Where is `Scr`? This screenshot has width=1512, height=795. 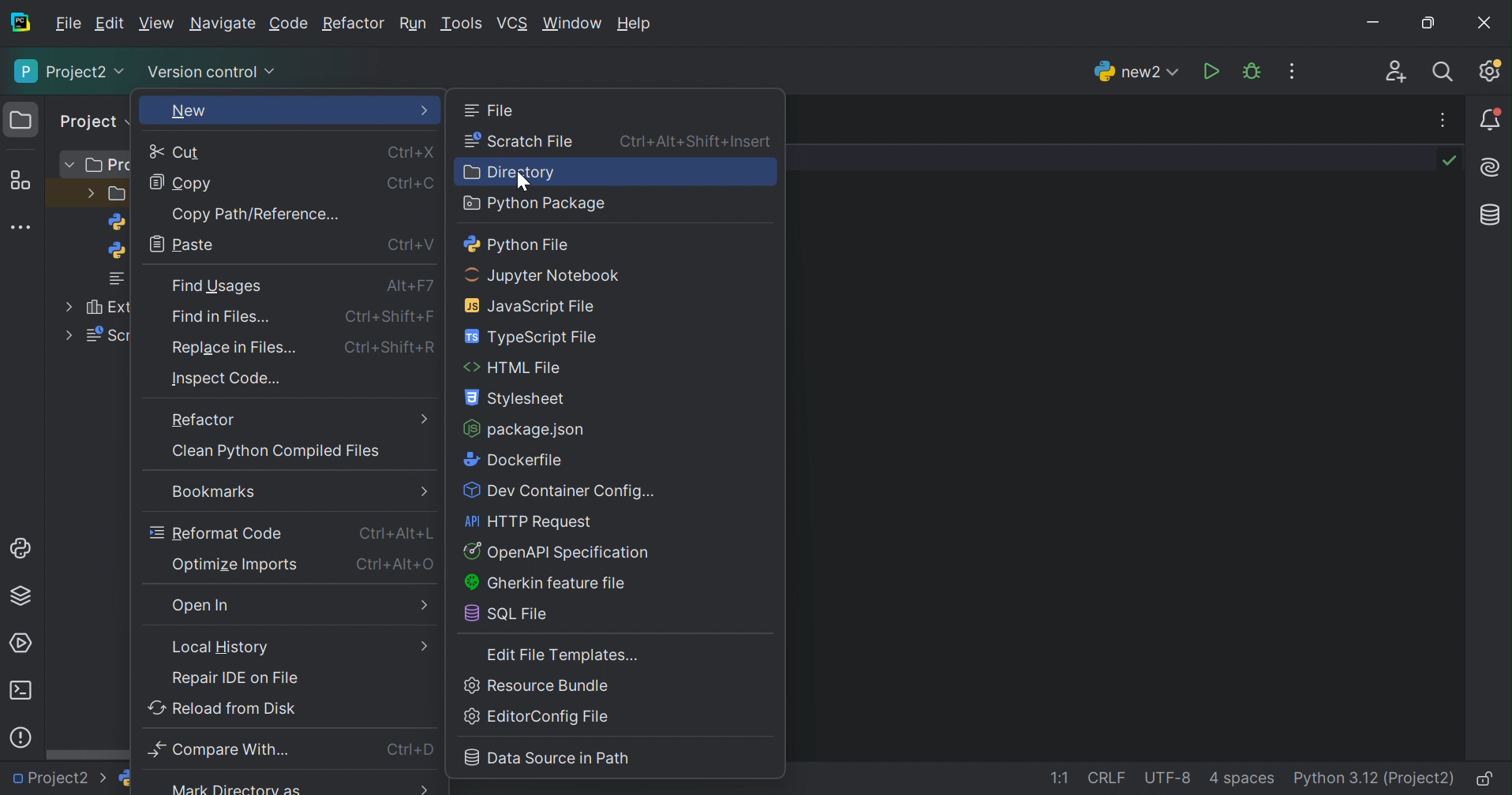 Scr is located at coordinates (109, 336).